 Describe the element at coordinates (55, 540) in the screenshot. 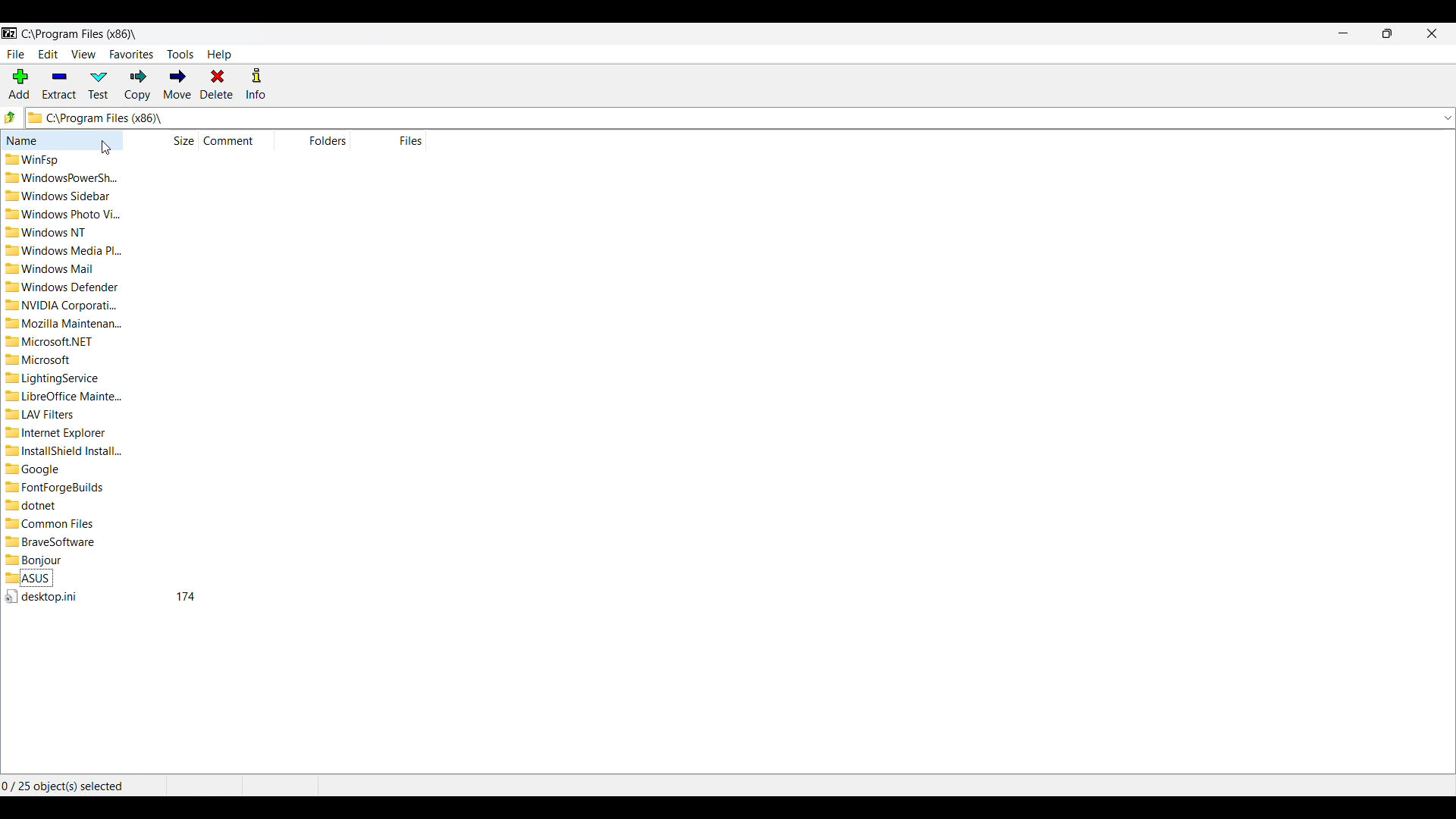

I see `BraveSoftware` at that location.